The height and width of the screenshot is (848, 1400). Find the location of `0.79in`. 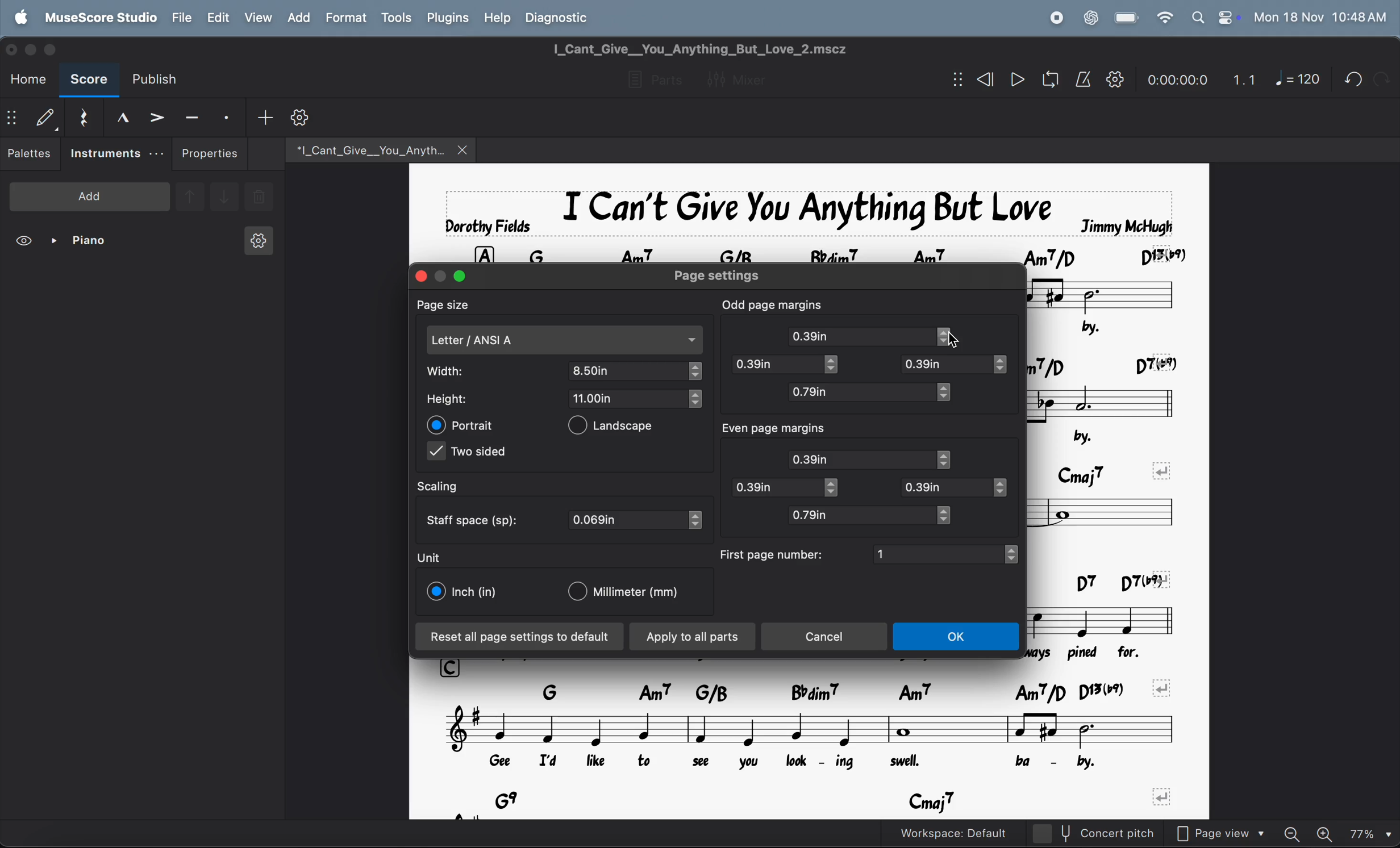

0.79in is located at coordinates (859, 392).